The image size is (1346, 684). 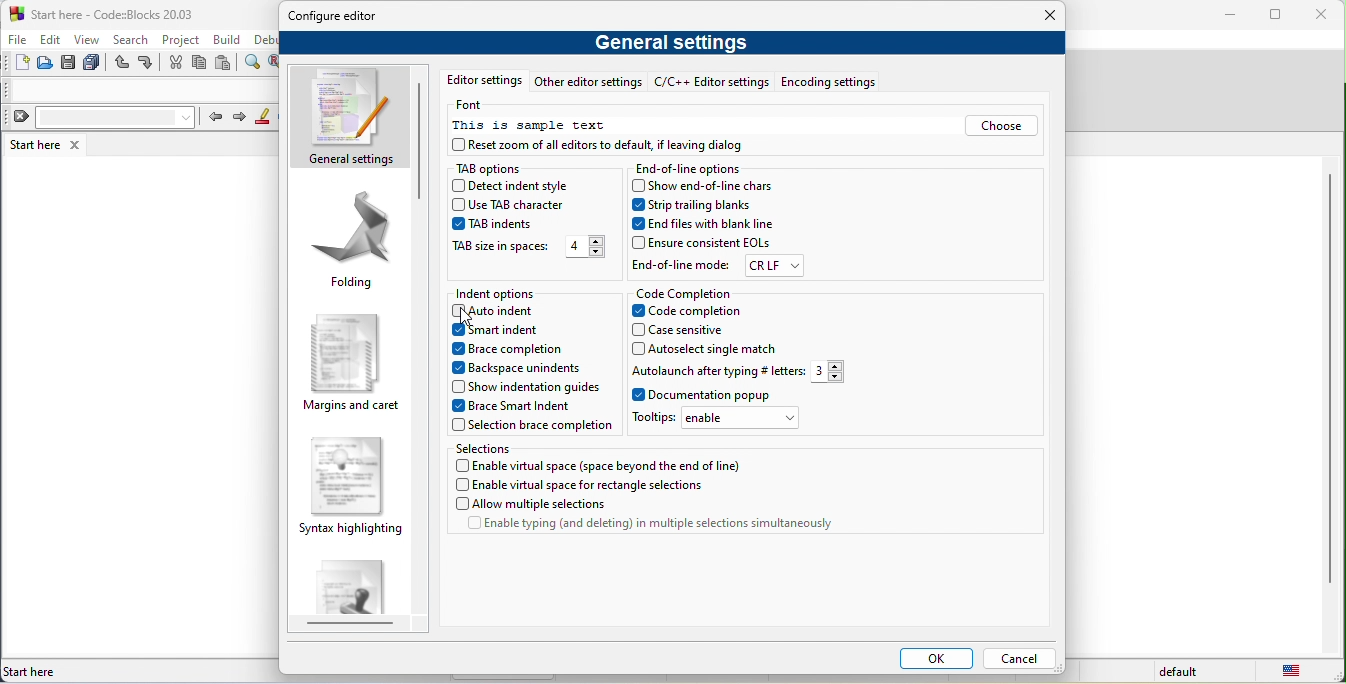 I want to click on auto select single match, so click(x=708, y=352).